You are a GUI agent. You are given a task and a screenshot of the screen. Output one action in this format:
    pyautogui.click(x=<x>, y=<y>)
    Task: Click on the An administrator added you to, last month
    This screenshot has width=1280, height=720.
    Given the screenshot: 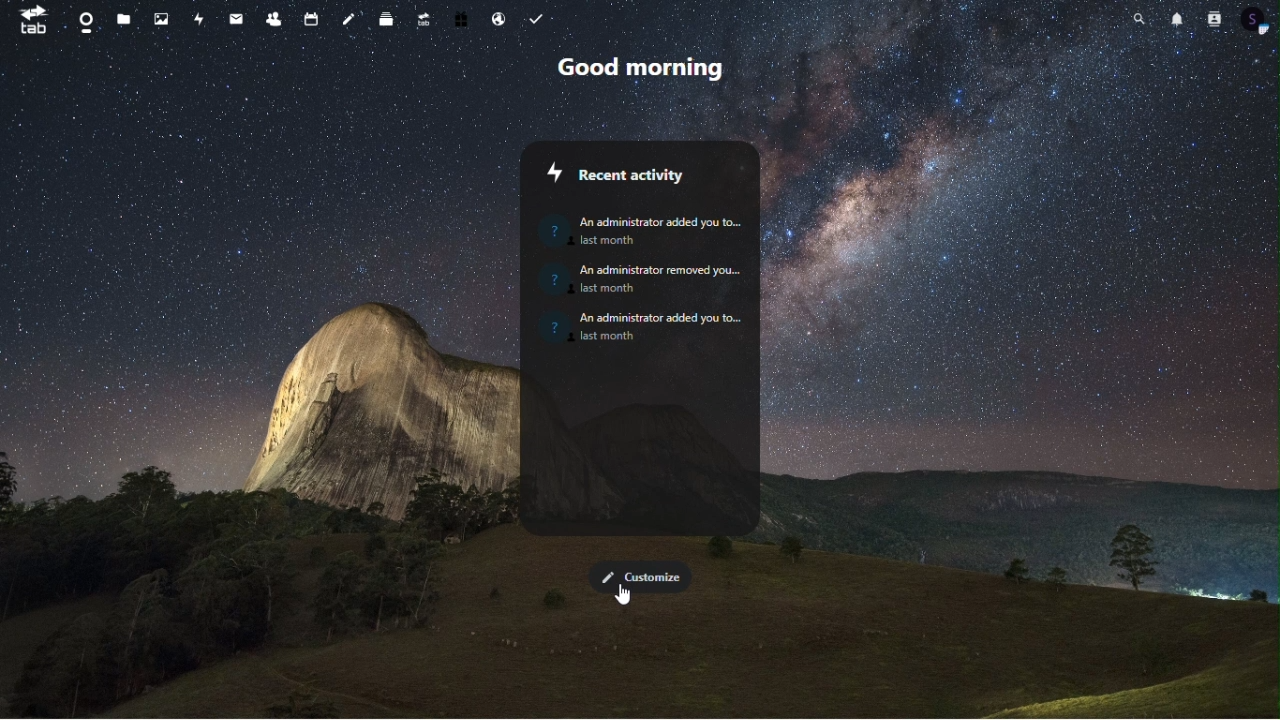 What is the action you would take?
    pyautogui.click(x=649, y=328)
    